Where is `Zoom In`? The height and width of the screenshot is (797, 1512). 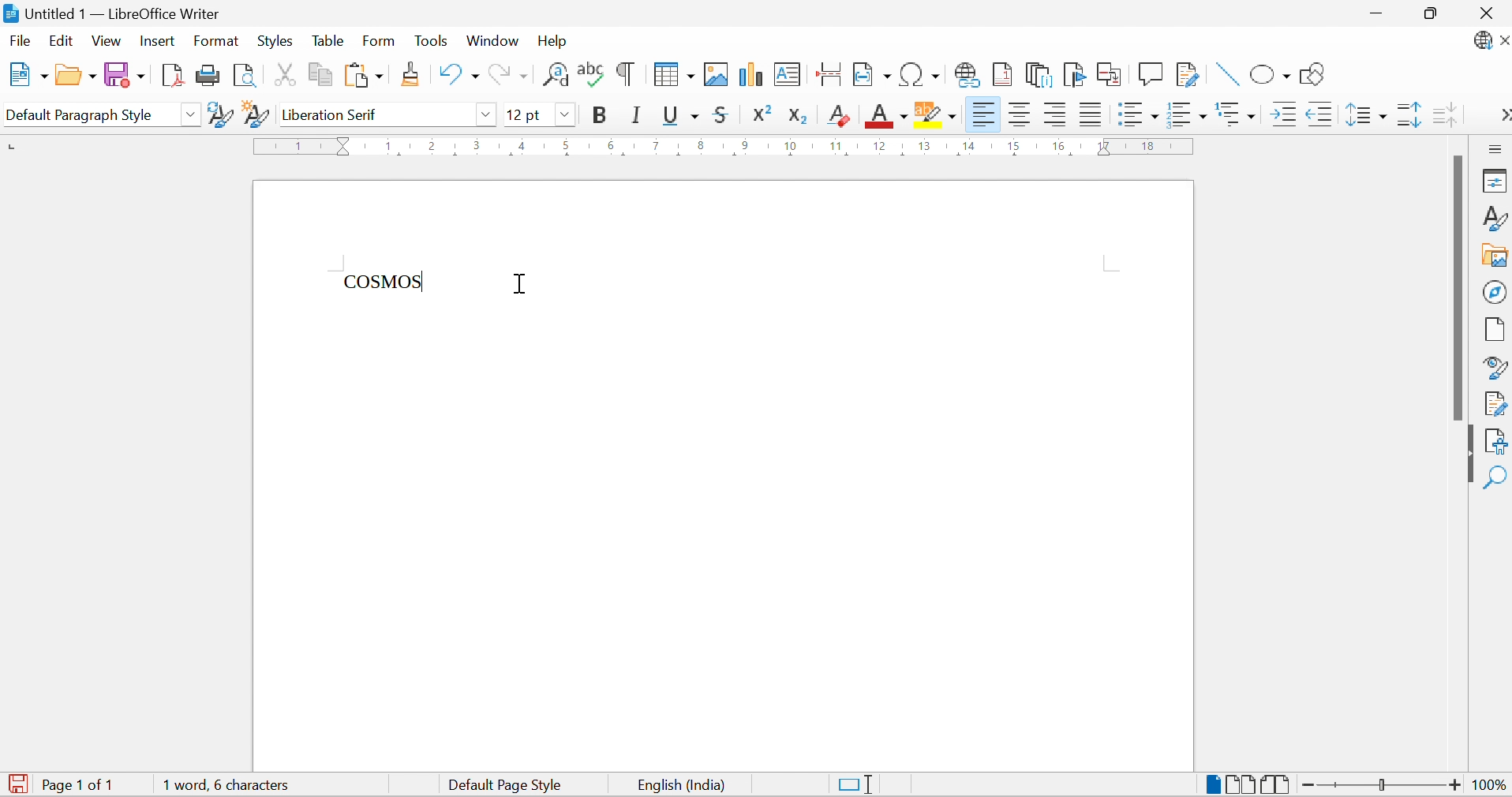
Zoom In is located at coordinates (1454, 787).